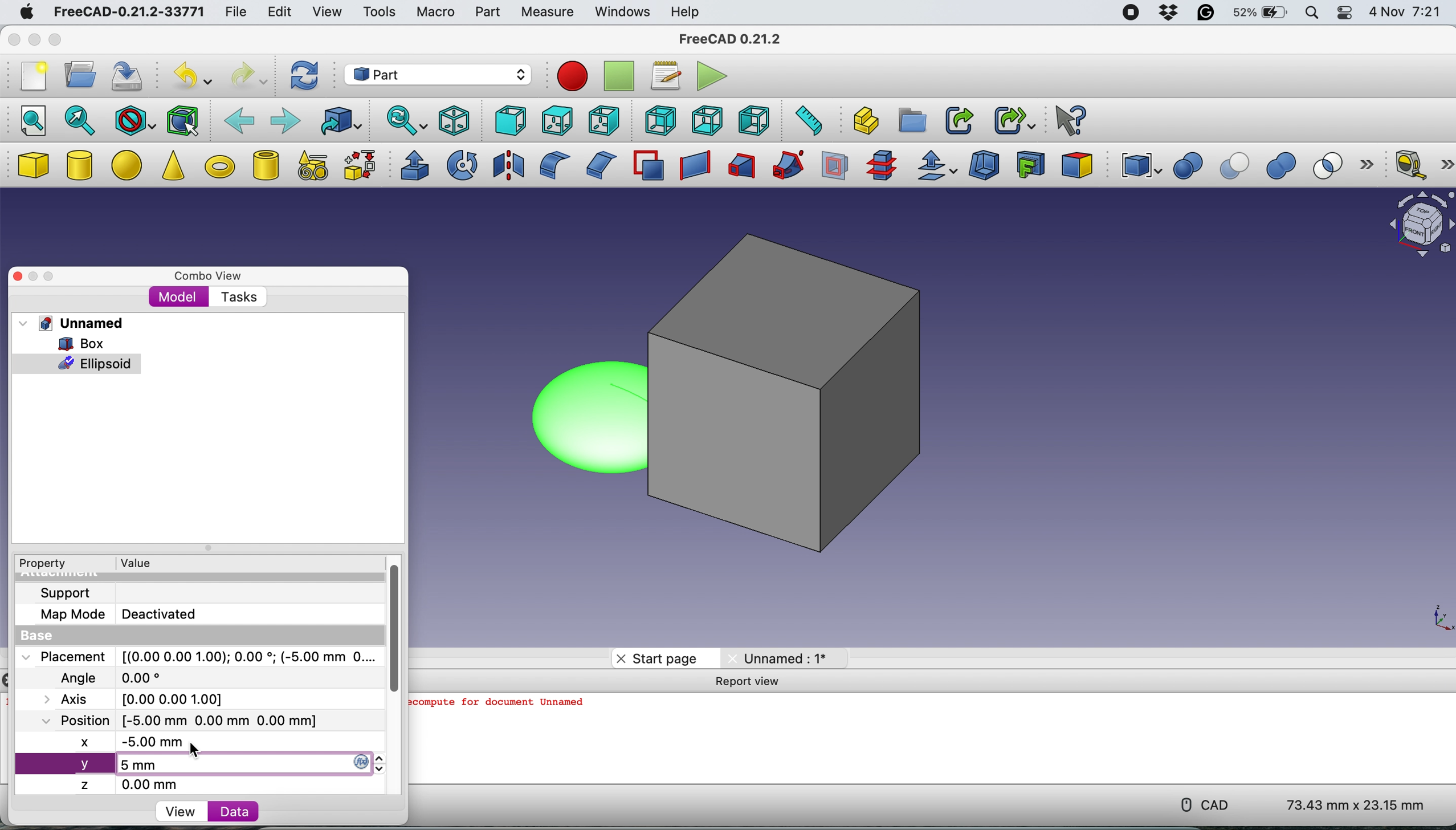 This screenshot has width=1456, height=830. What do you see at coordinates (756, 120) in the screenshot?
I see `left` at bounding box center [756, 120].